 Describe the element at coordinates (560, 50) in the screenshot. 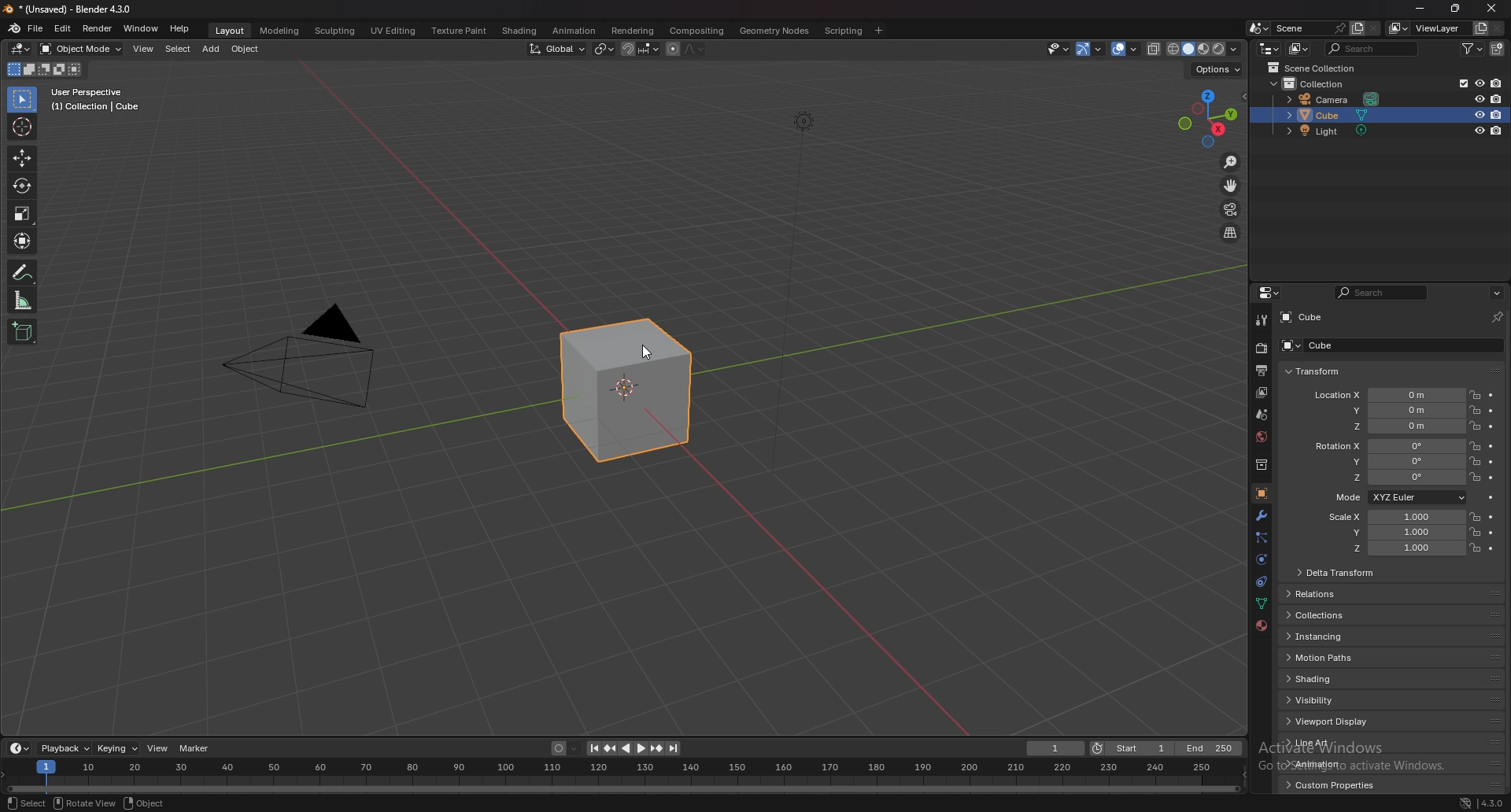

I see `transformation orientation` at that location.